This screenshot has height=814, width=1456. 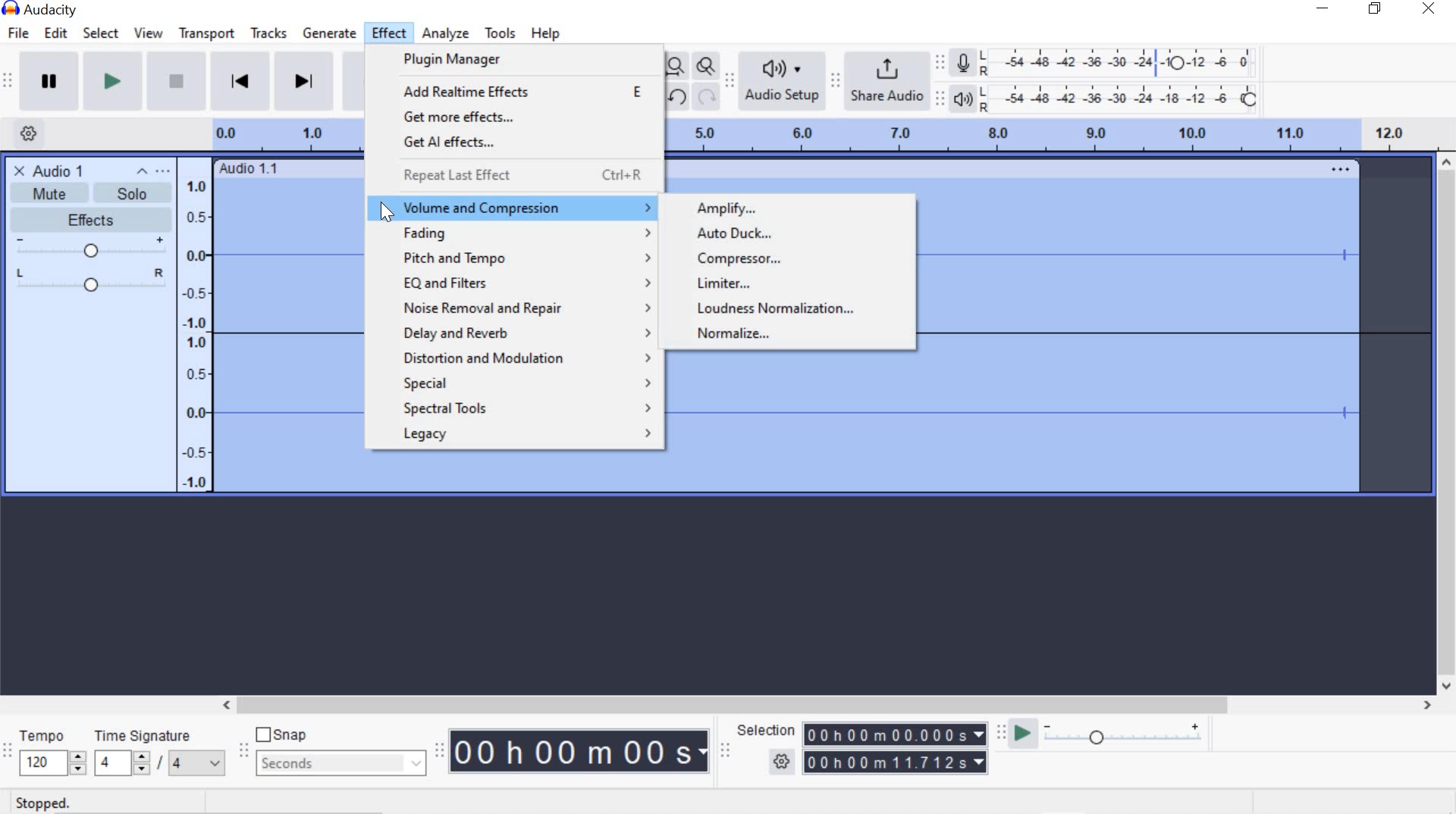 What do you see at coordinates (943, 61) in the screenshot?
I see `recording meter toolbar` at bounding box center [943, 61].